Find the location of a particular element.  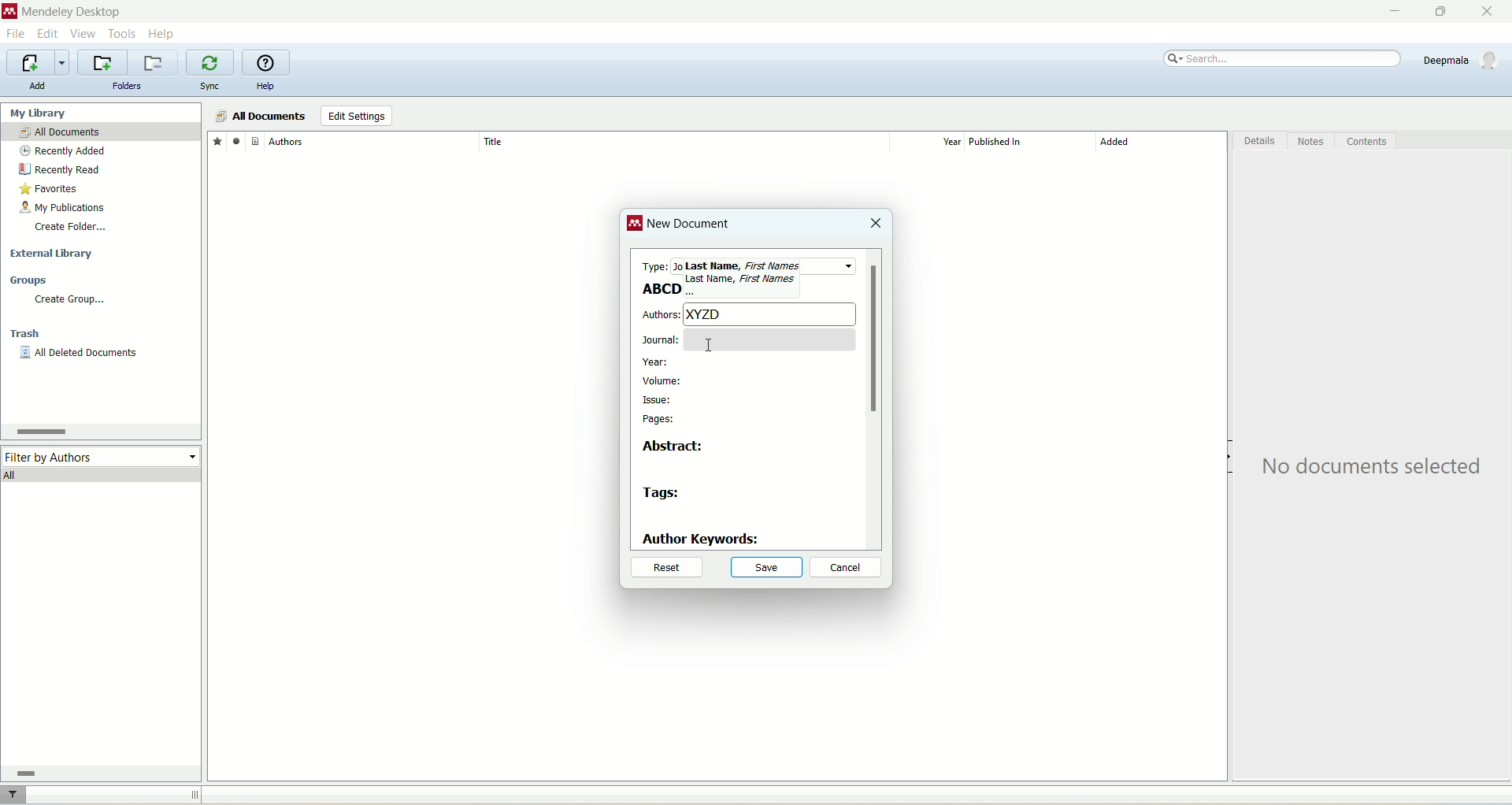

my library is located at coordinates (40, 113).